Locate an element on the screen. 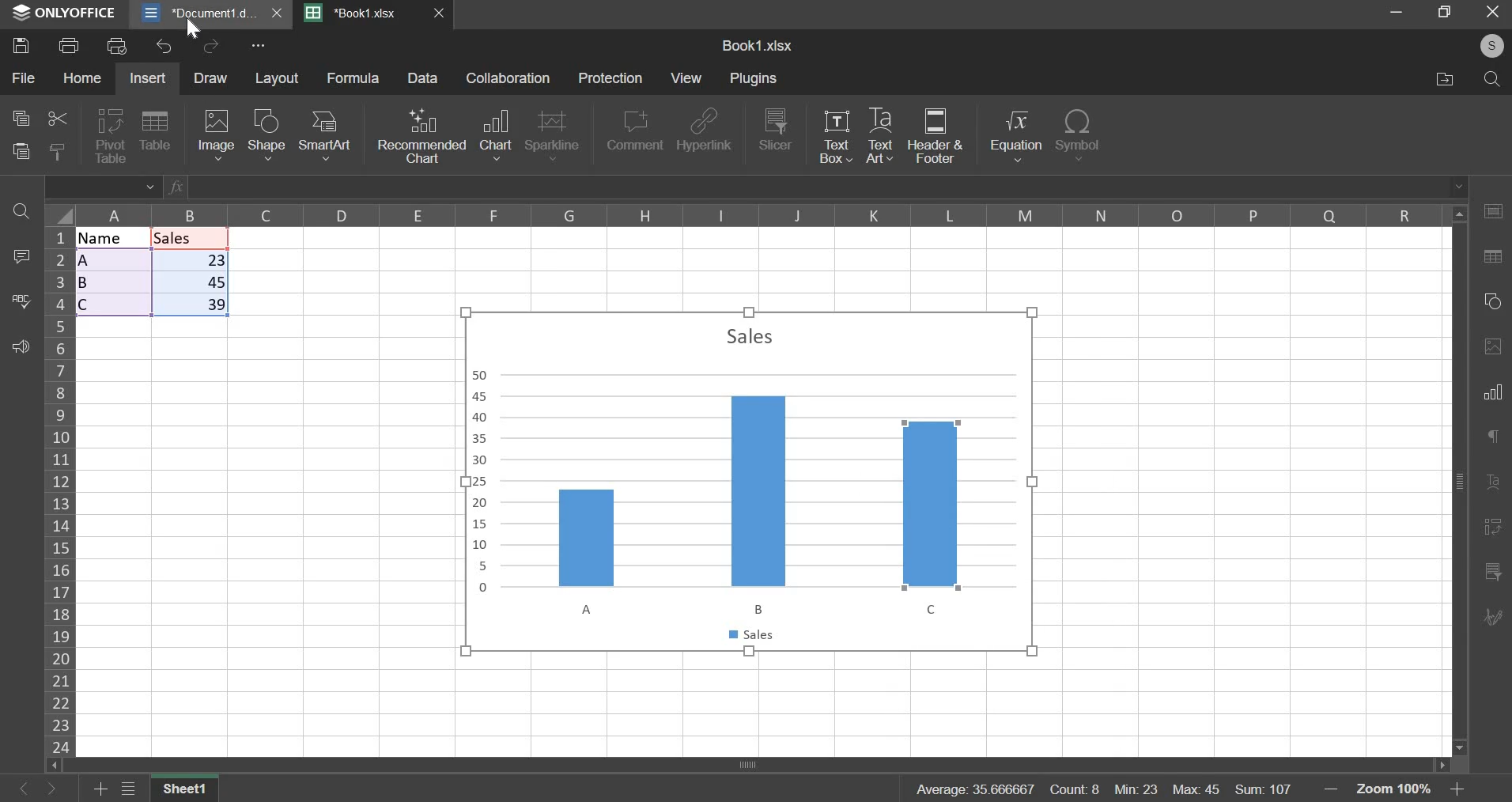  protection is located at coordinates (610, 78).